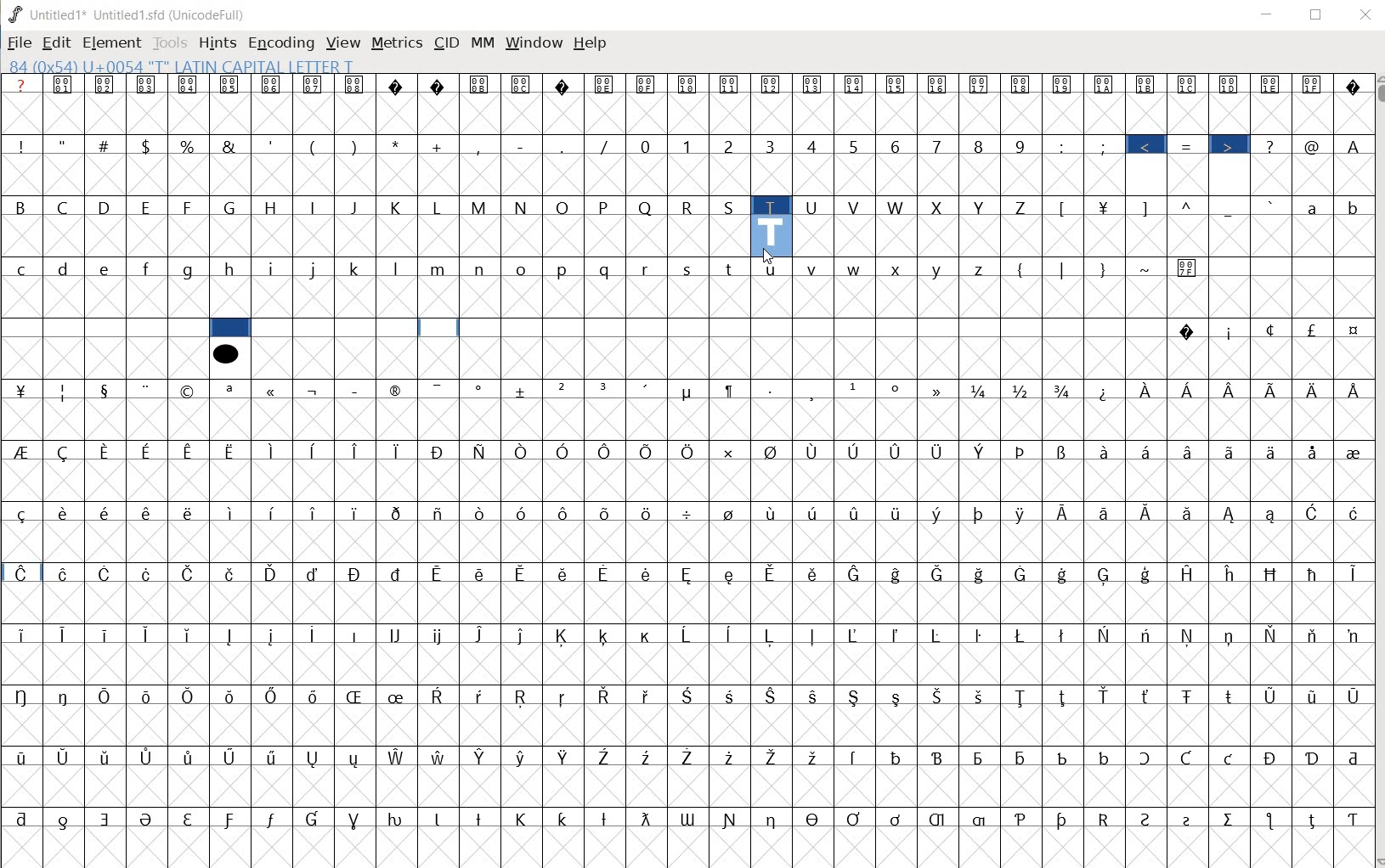 The width and height of the screenshot is (1385, 868). What do you see at coordinates (814, 86) in the screenshot?
I see `Symbol` at bounding box center [814, 86].